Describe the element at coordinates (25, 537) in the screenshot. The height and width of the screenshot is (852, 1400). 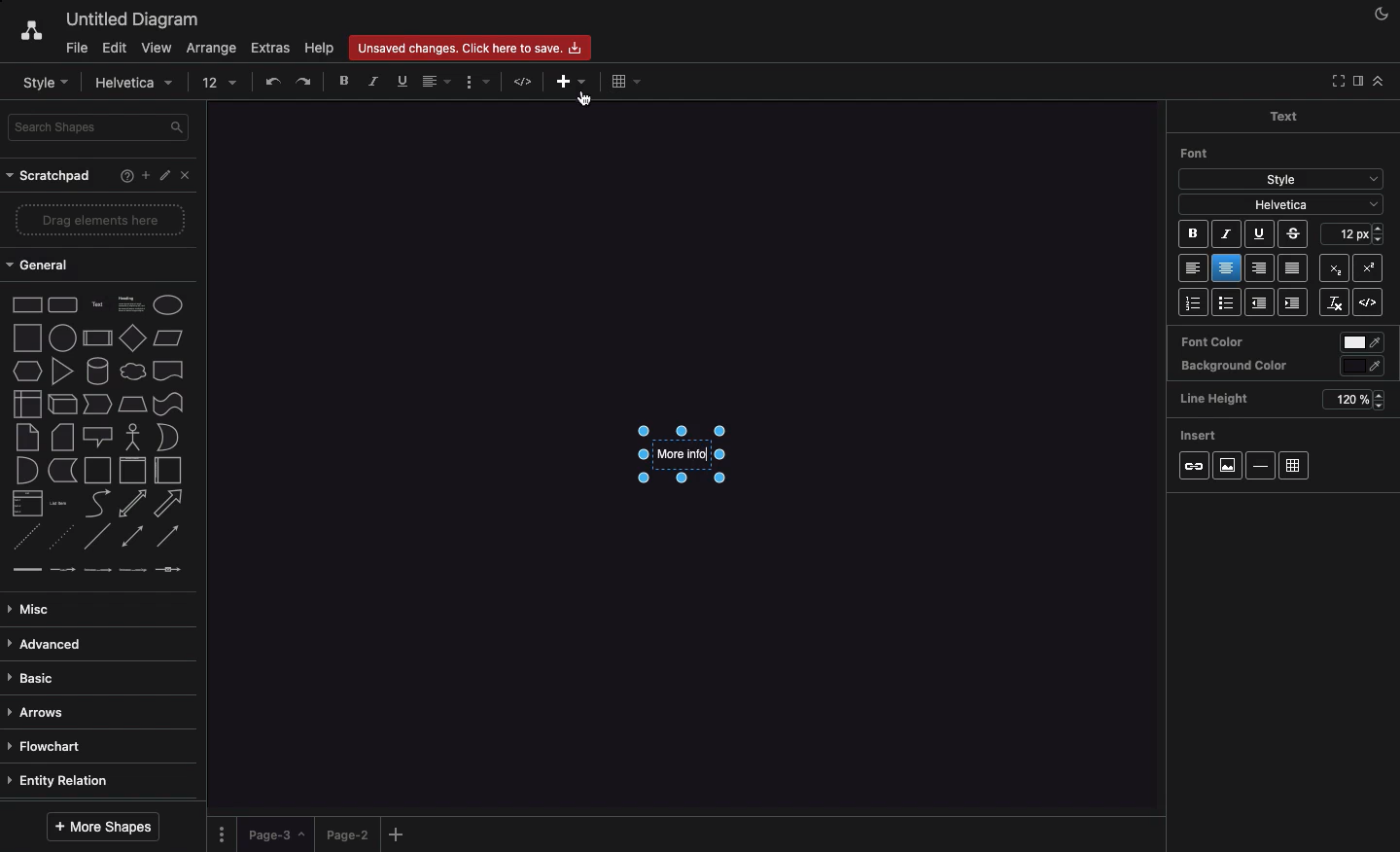
I see `dashed line` at that location.